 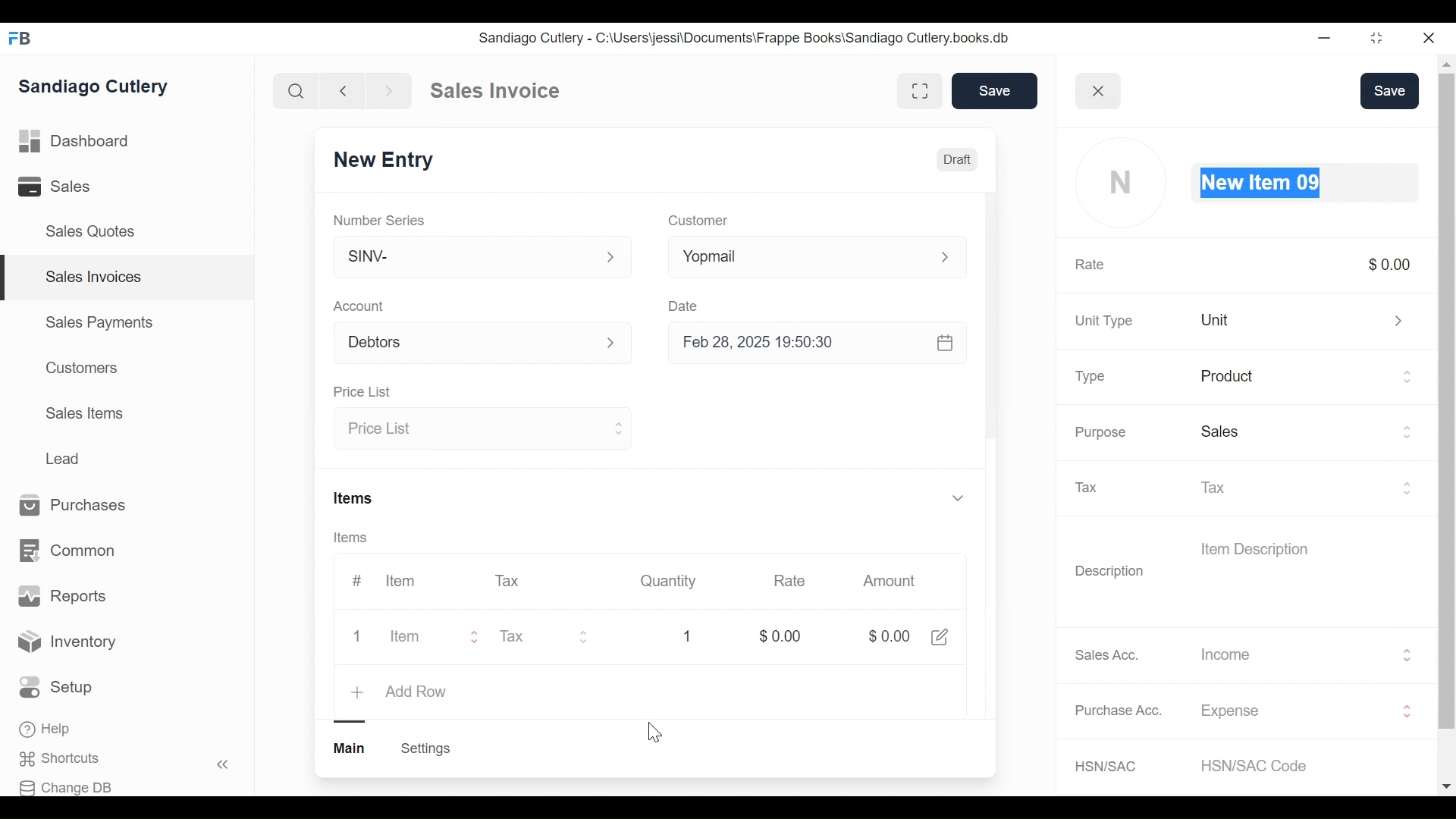 I want to click on HSN/SAC, so click(x=1108, y=767).